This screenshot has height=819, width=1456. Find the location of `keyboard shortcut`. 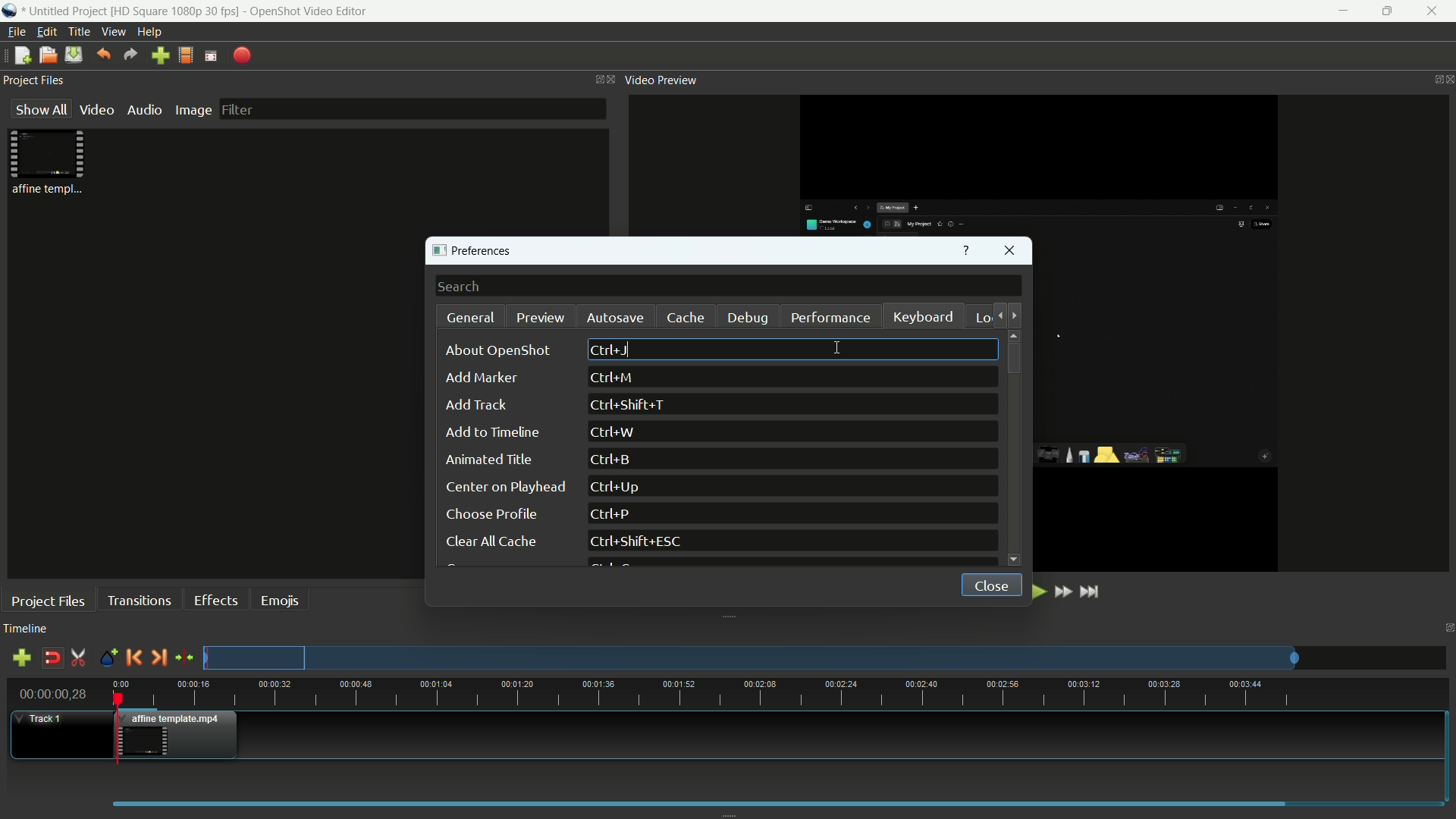

keyboard shortcut is located at coordinates (613, 432).